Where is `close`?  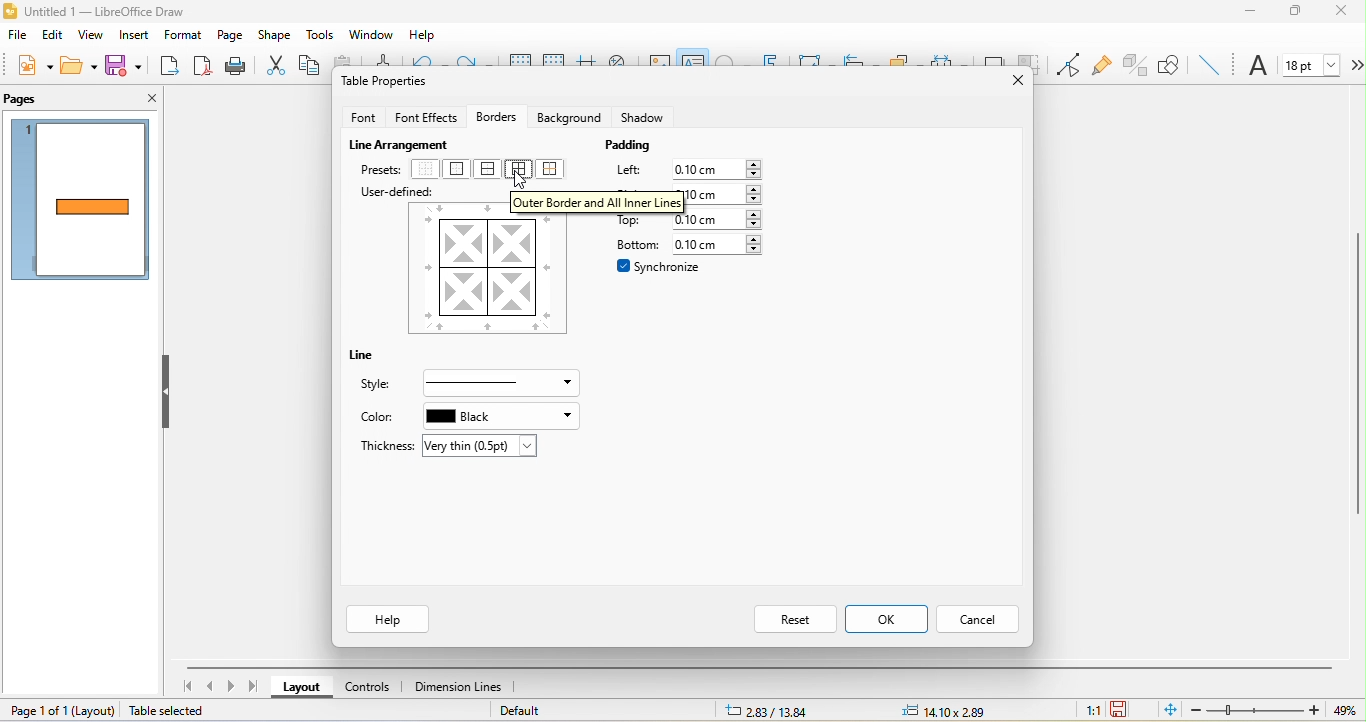 close is located at coordinates (1347, 12).